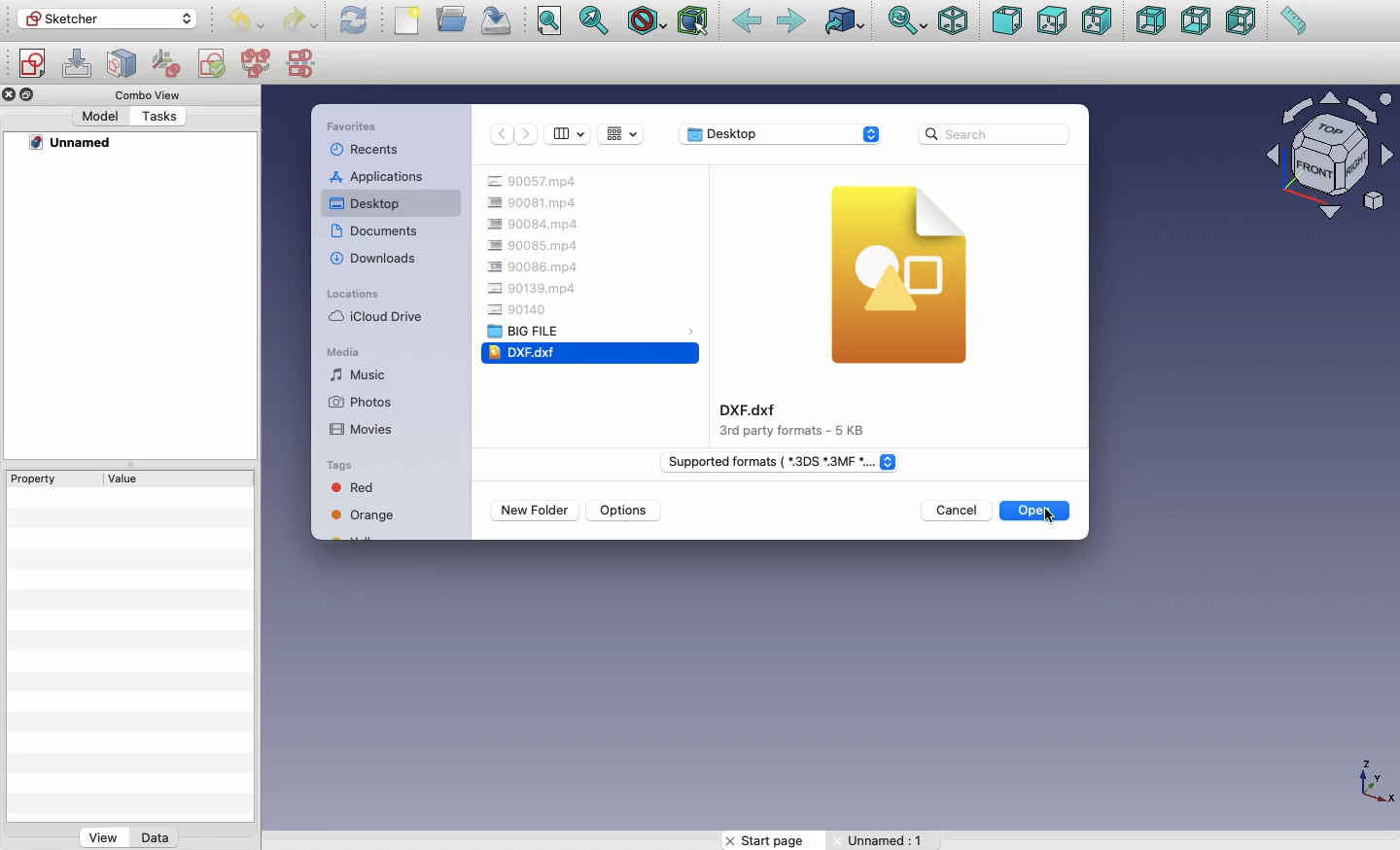 This screenshot has height=850, width=1400. Describe the element at coordinates (888, 840) in the screenshot. I see `Unnamed: 1` at that location.